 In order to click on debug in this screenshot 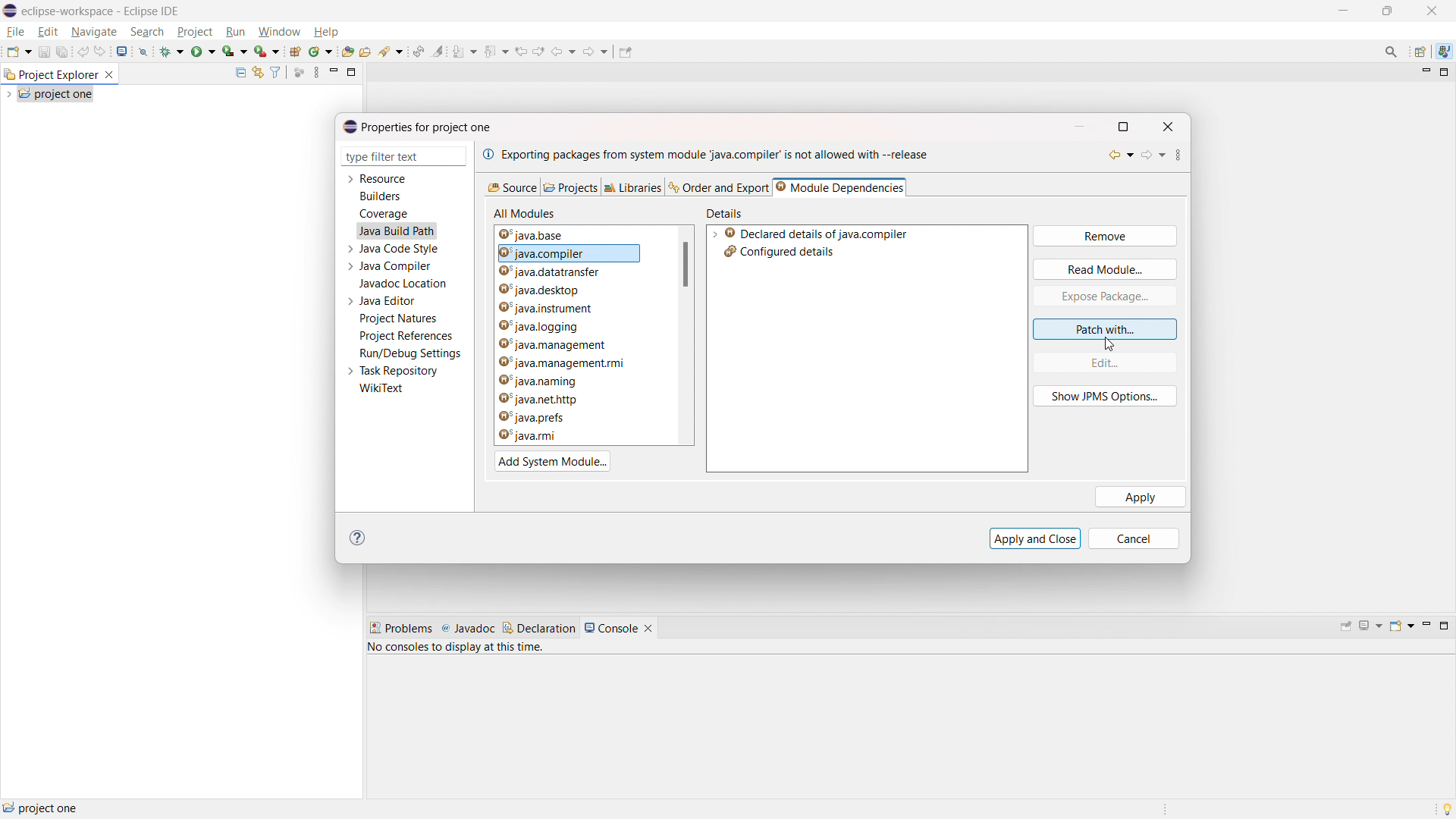, I will do `click(172, 50)`.